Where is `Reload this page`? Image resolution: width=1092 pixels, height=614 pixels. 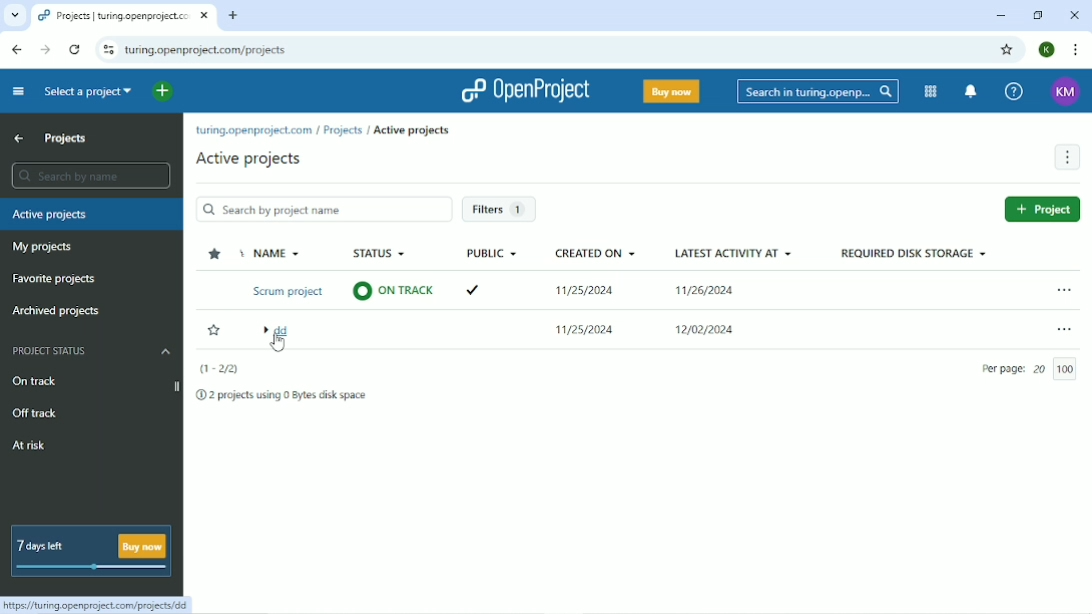
Reload this page is located at coordinates (73, 49).